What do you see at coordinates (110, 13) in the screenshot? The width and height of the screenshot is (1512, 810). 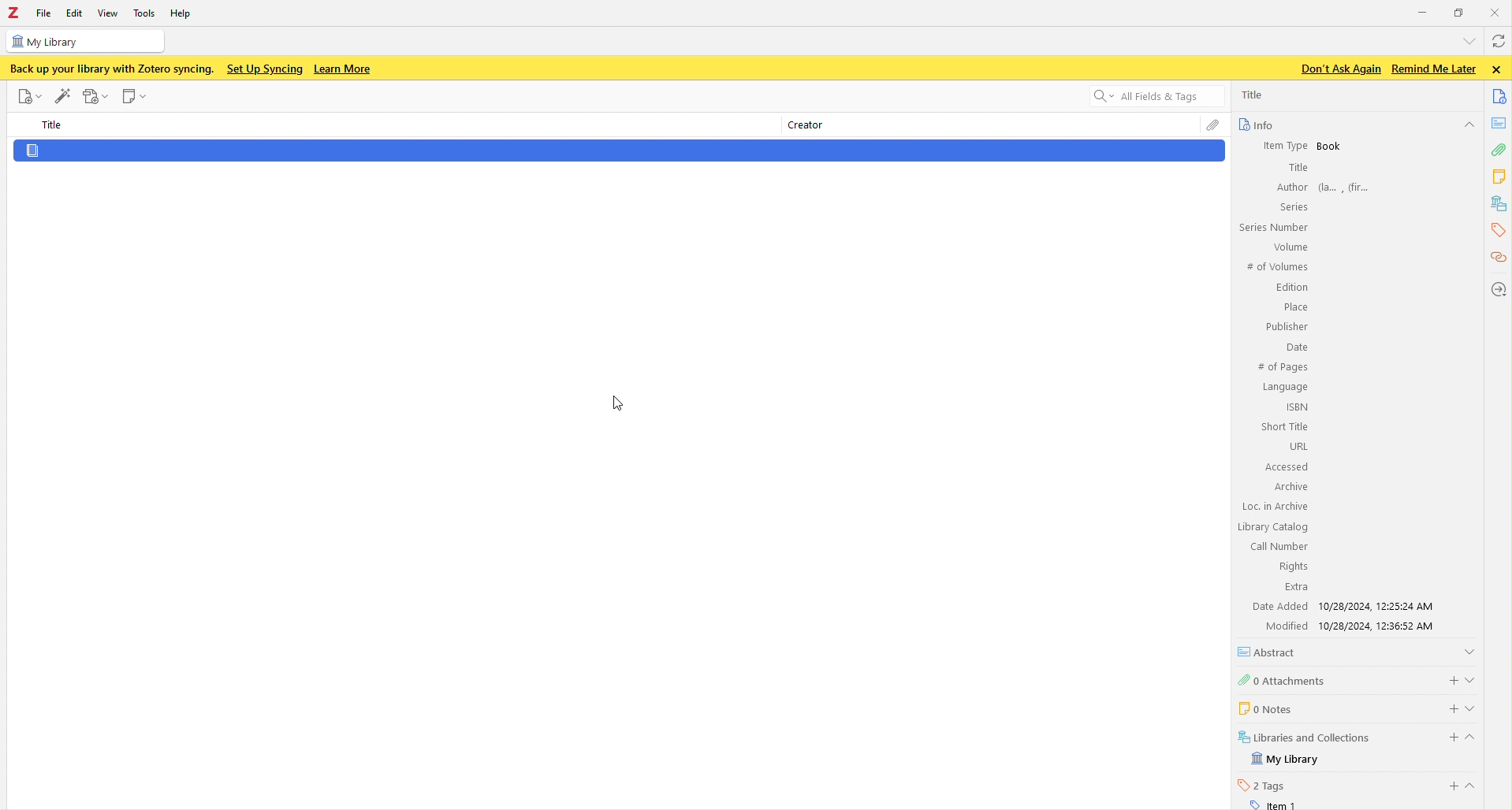 I see `View` at bounding box center [110, 13].